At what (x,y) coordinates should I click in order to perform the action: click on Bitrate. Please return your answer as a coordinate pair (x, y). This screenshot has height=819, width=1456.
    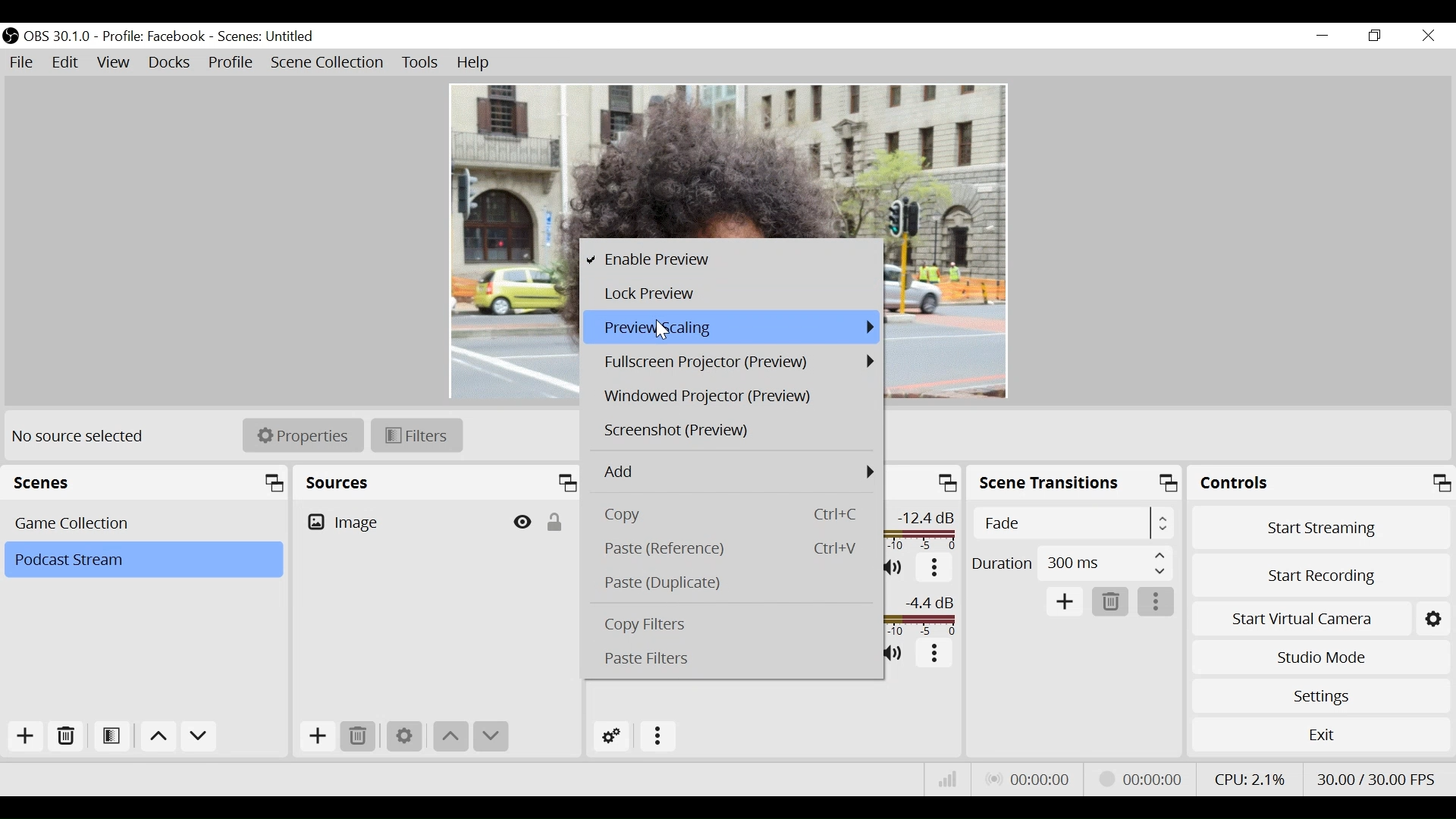
    Looking at the image, I should click on (949, 779).